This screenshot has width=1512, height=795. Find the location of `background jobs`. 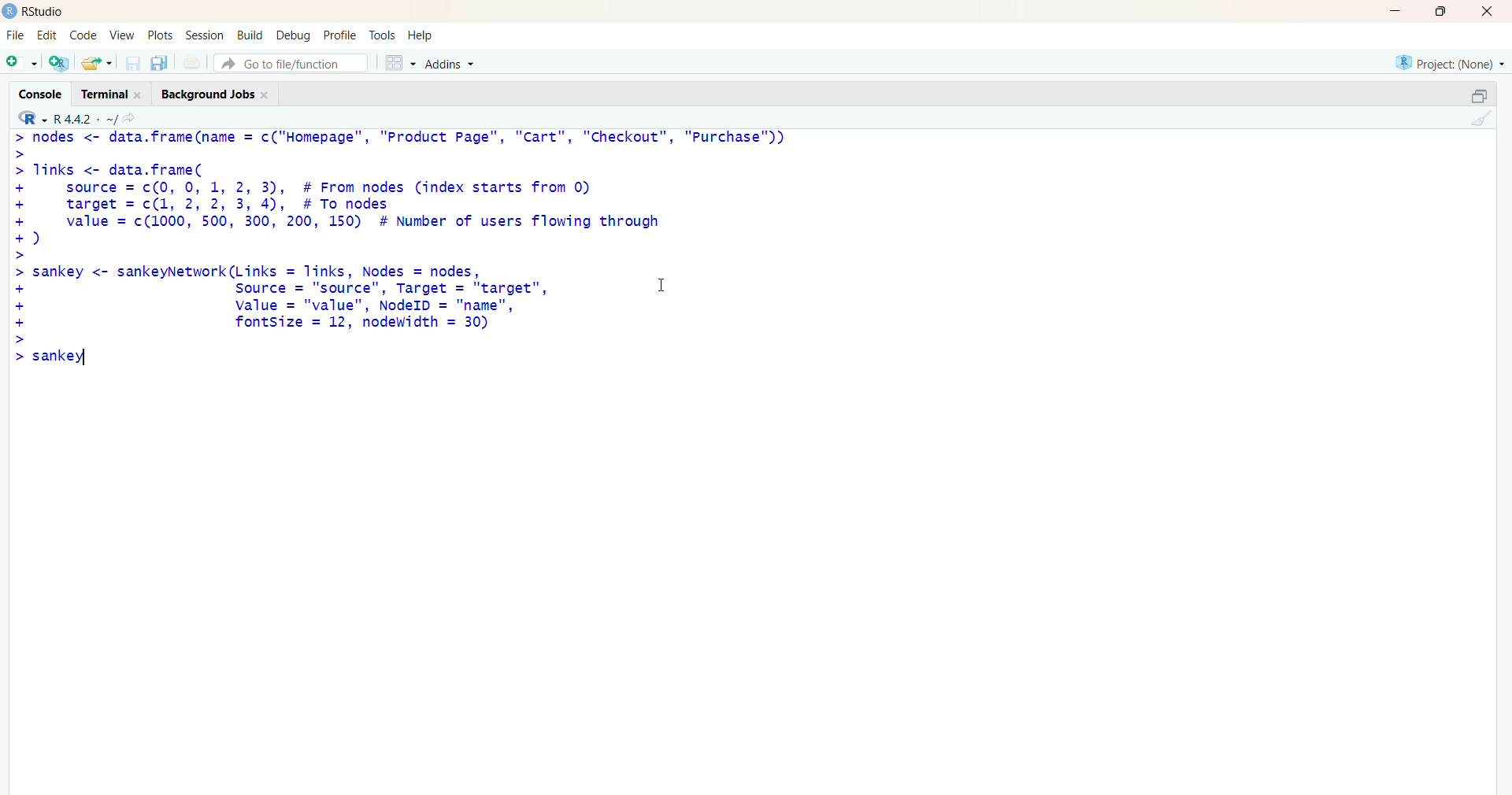

background jobs is located at coordinates (219, 96).